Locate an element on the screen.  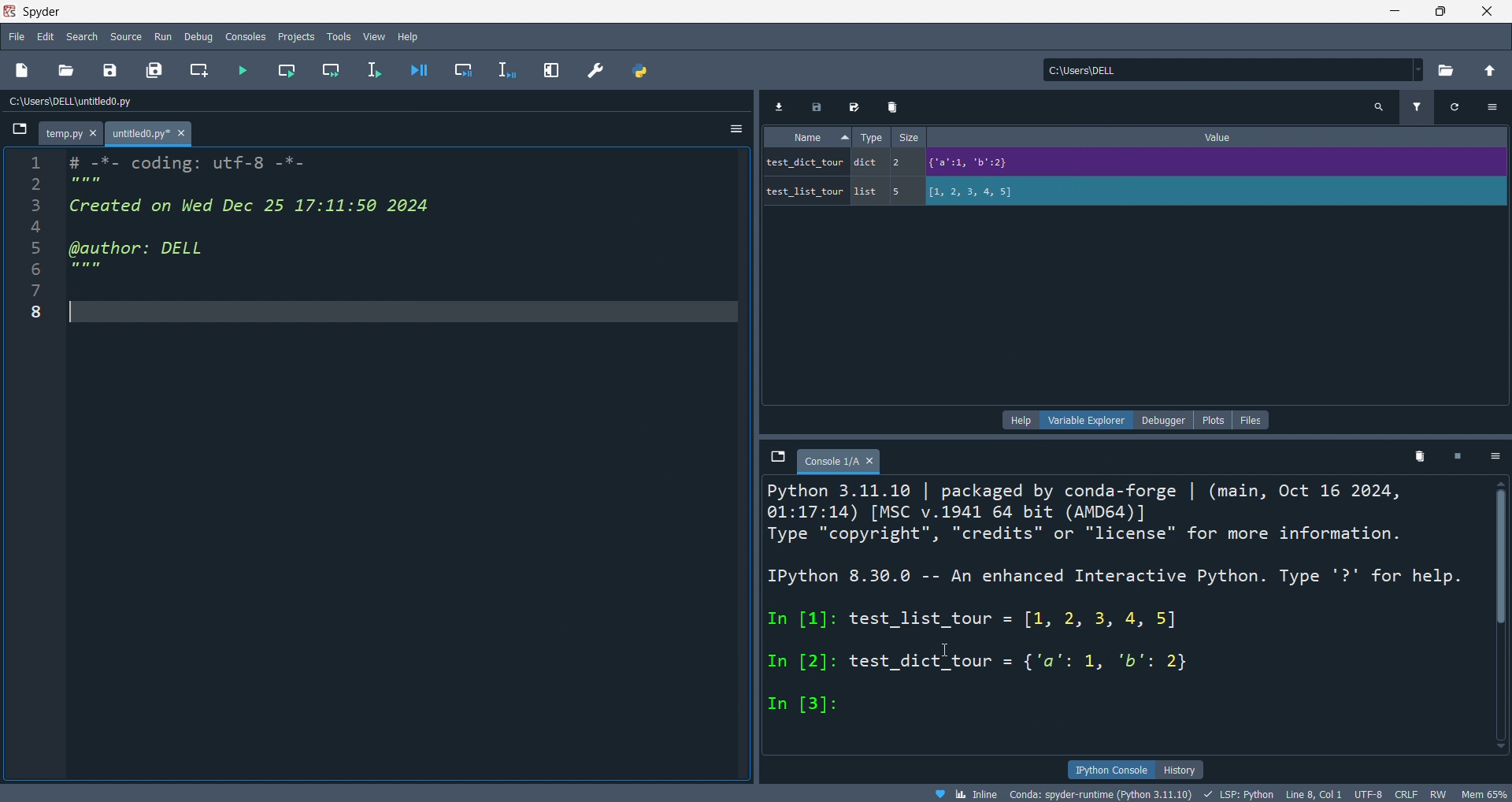
8 is located at coordinates (39, 309).